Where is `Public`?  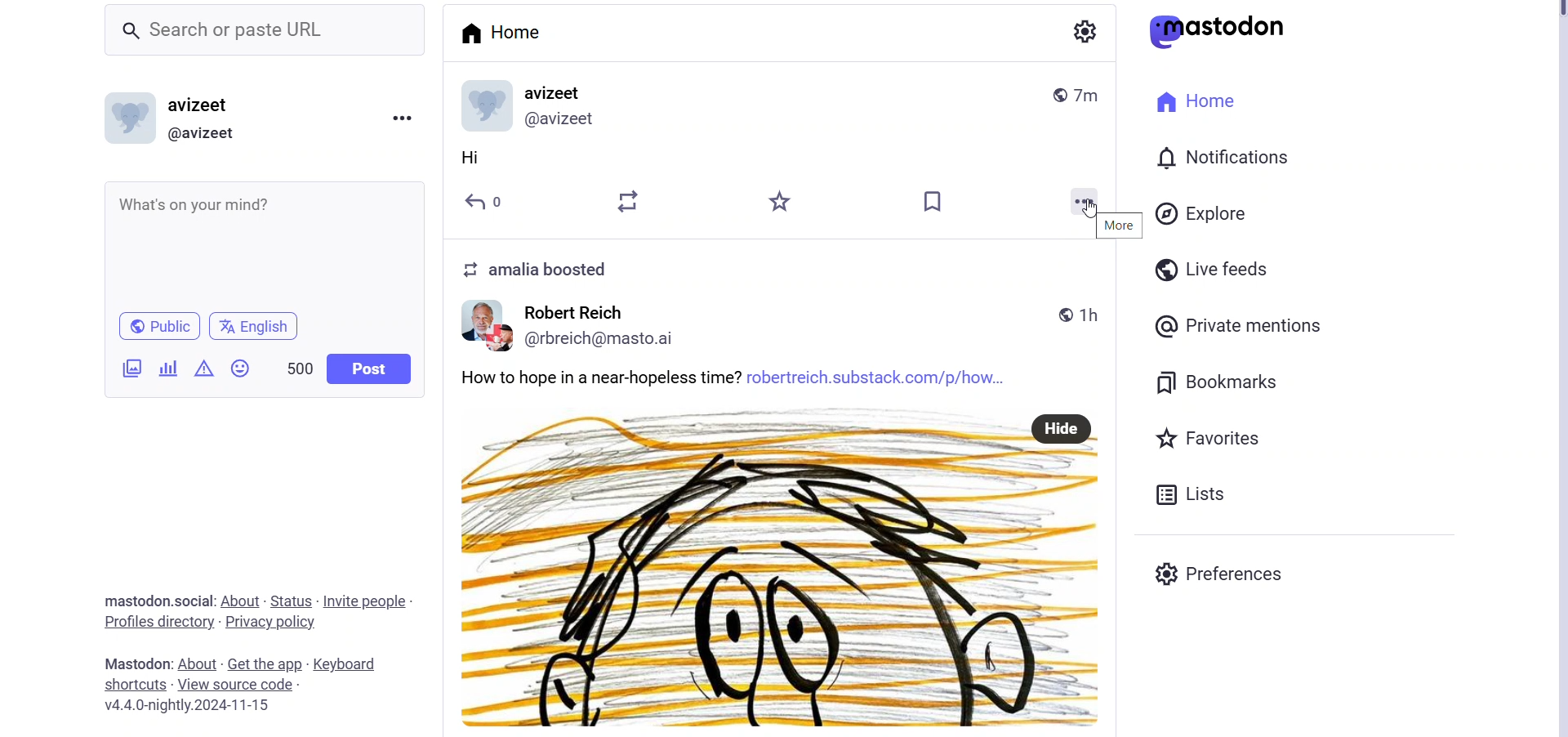
Public is located at coordinates (158, 326).